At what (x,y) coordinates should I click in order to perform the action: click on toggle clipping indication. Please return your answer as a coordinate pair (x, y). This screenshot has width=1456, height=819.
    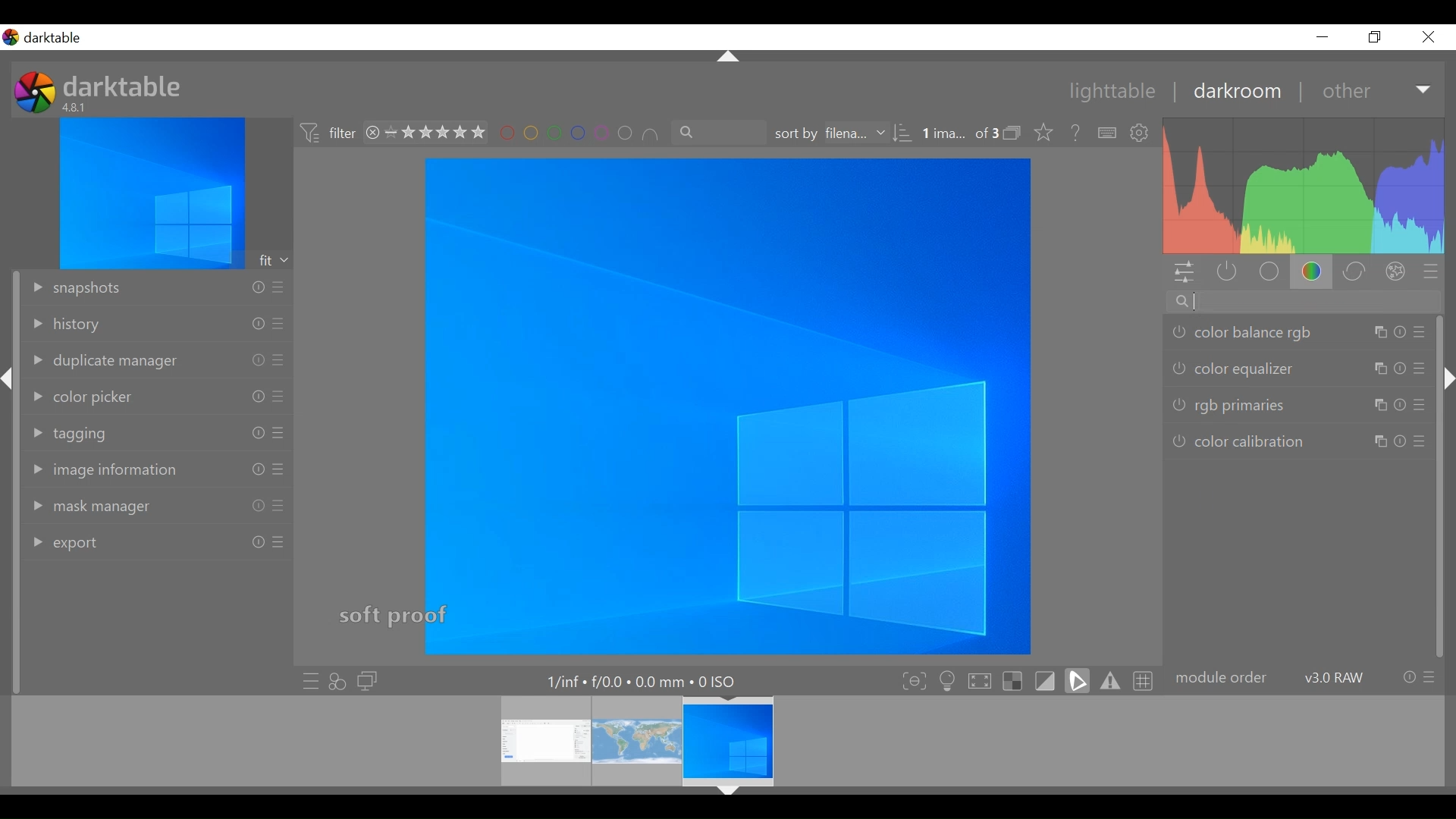
    Looking at the image, I should click on (1078, 679).